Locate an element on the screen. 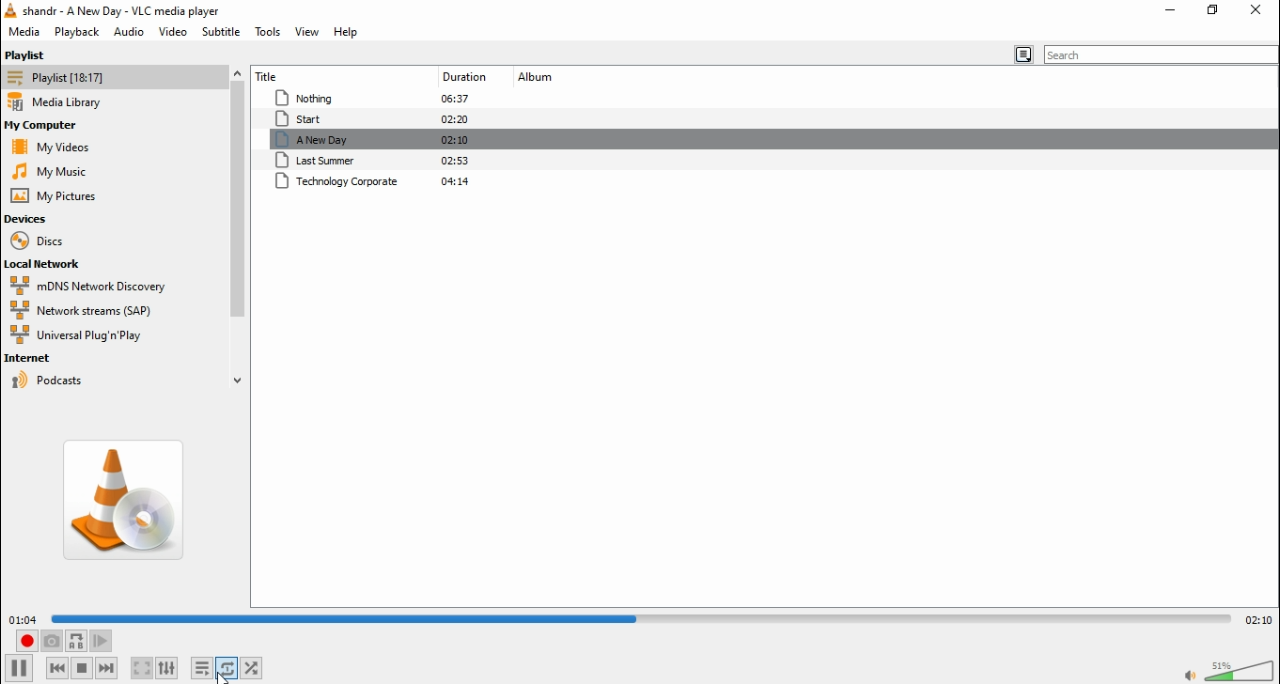 This screenshot has width=1280, height=684. album art is located at coordinates (128, 500).